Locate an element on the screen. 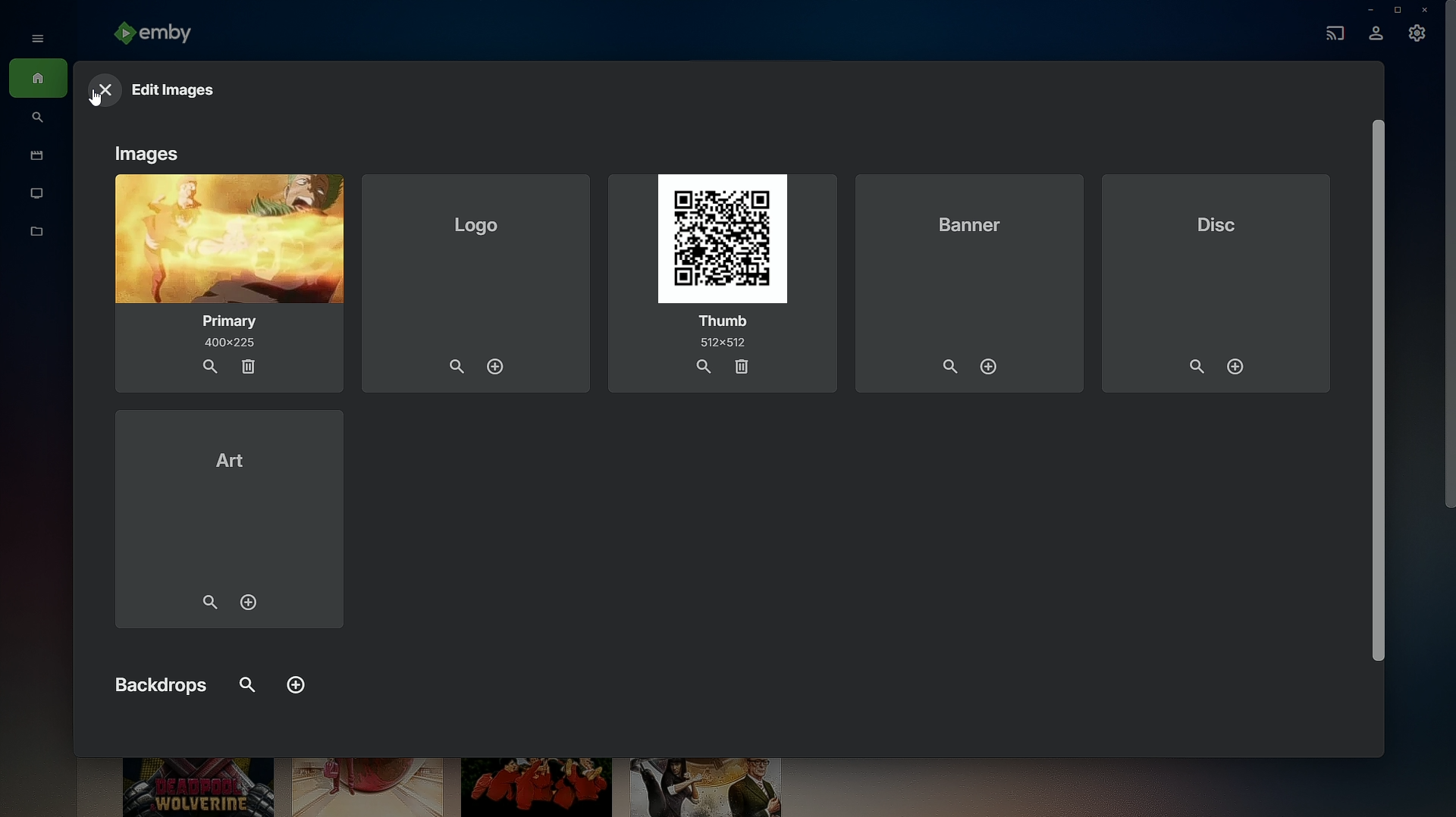 The width and height of the screenshot is (1456, 817). Logo is located at coordinates (476, 283).